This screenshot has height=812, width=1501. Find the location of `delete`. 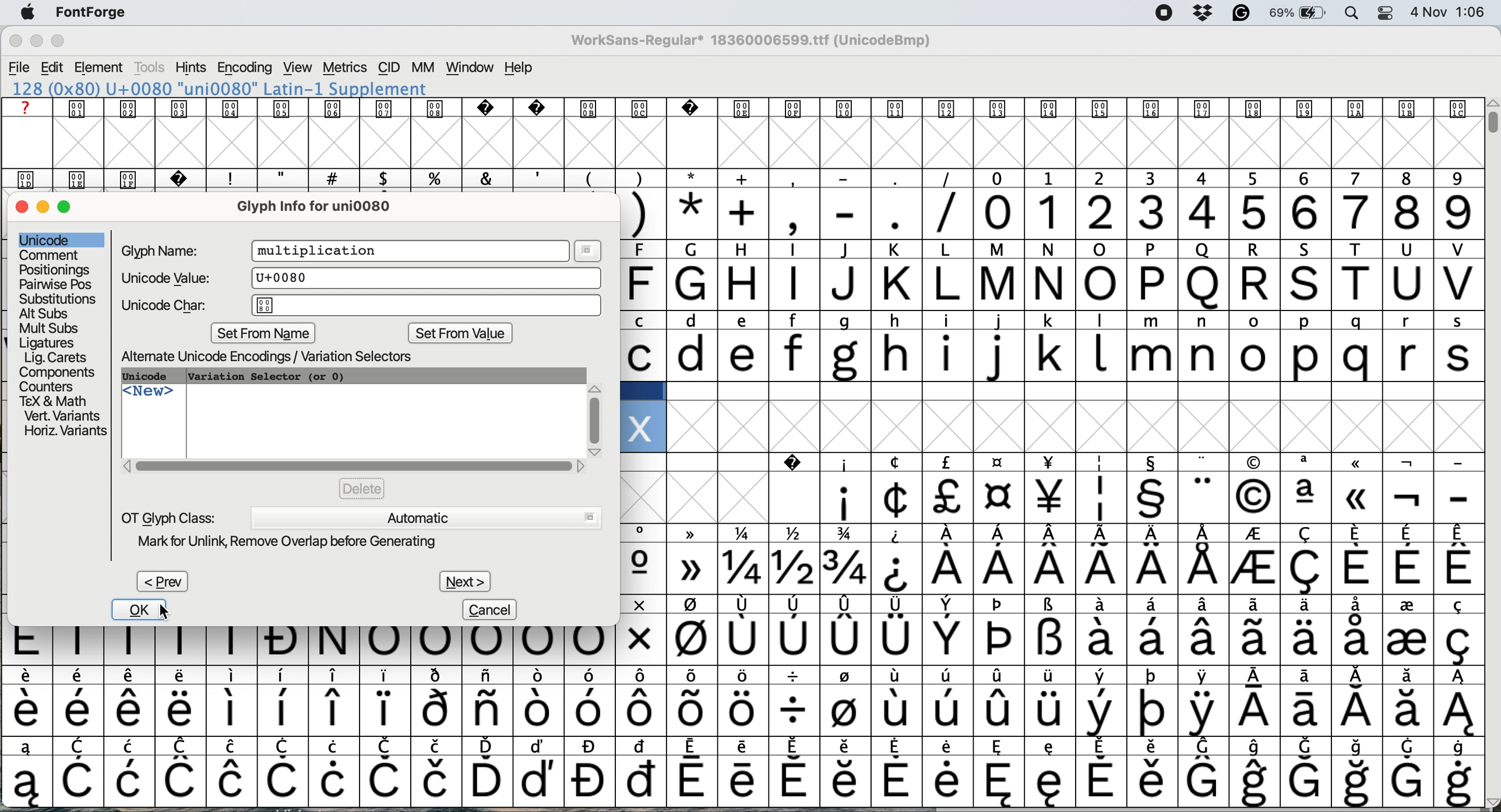

delete is located at coordinates (362, 488).